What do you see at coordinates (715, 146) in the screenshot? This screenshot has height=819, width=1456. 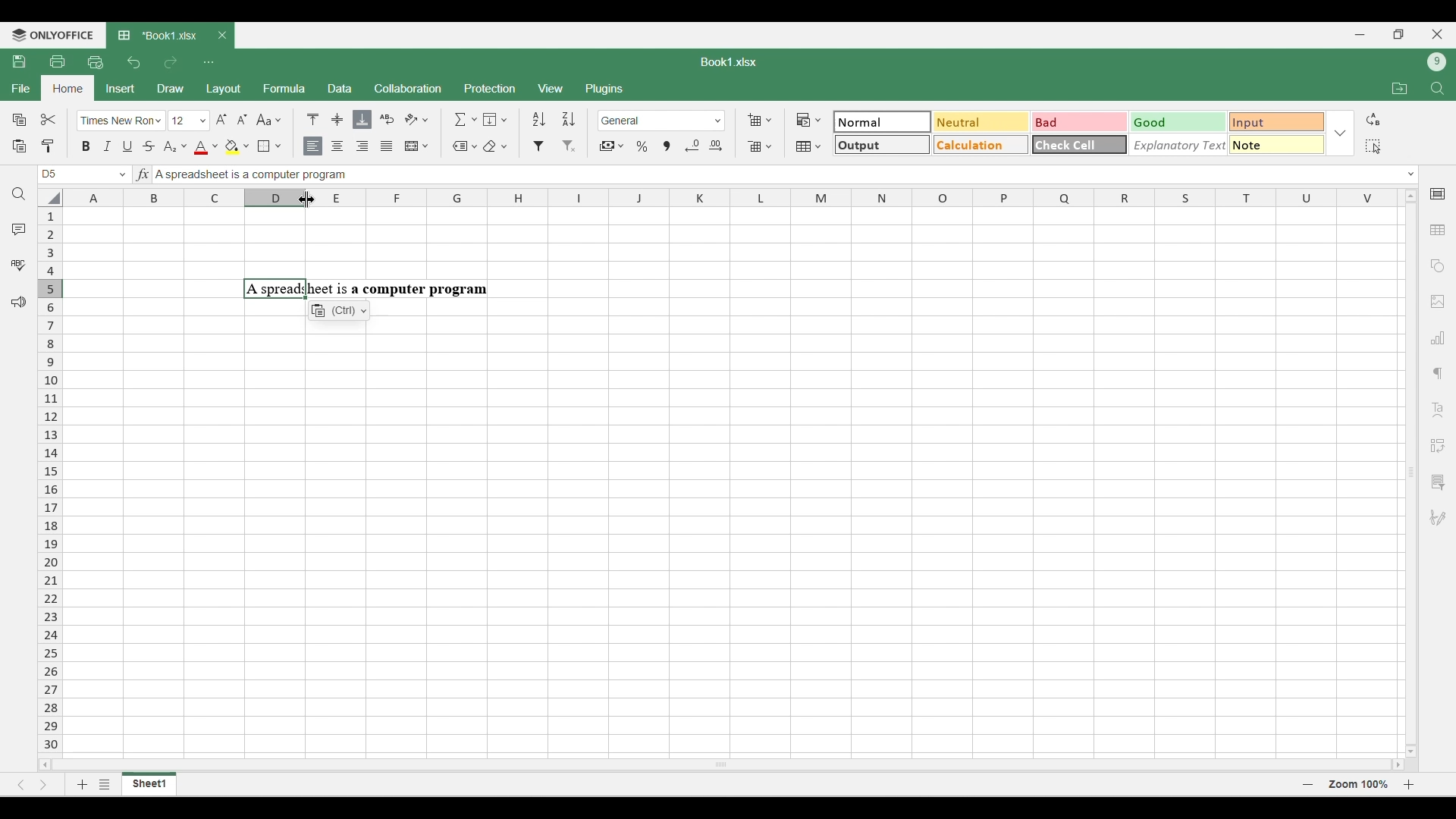 I see `Increase decimal` at bounding box center [715, 146].